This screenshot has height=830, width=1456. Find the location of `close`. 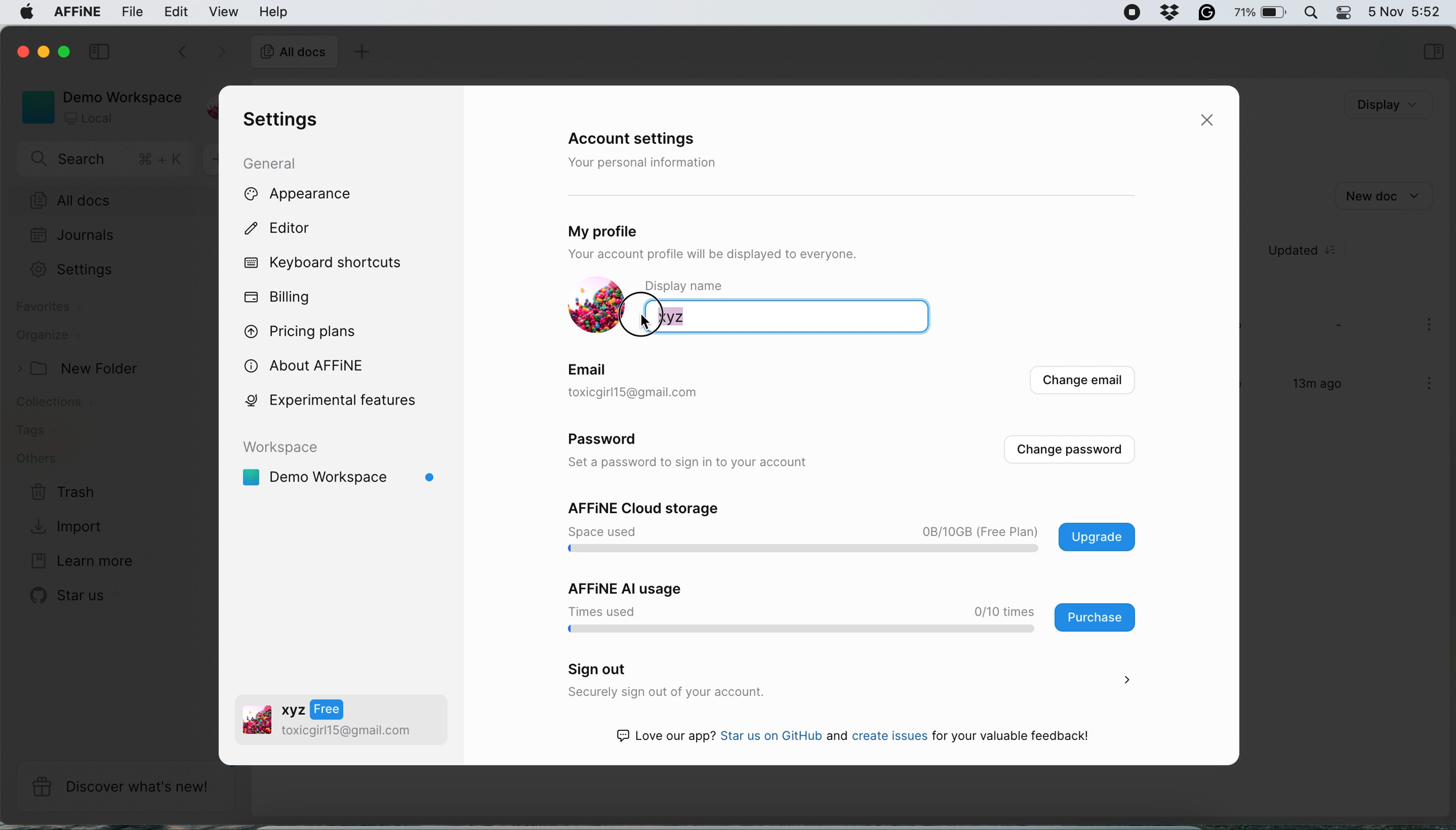

close is located at coordinates (21, 50).